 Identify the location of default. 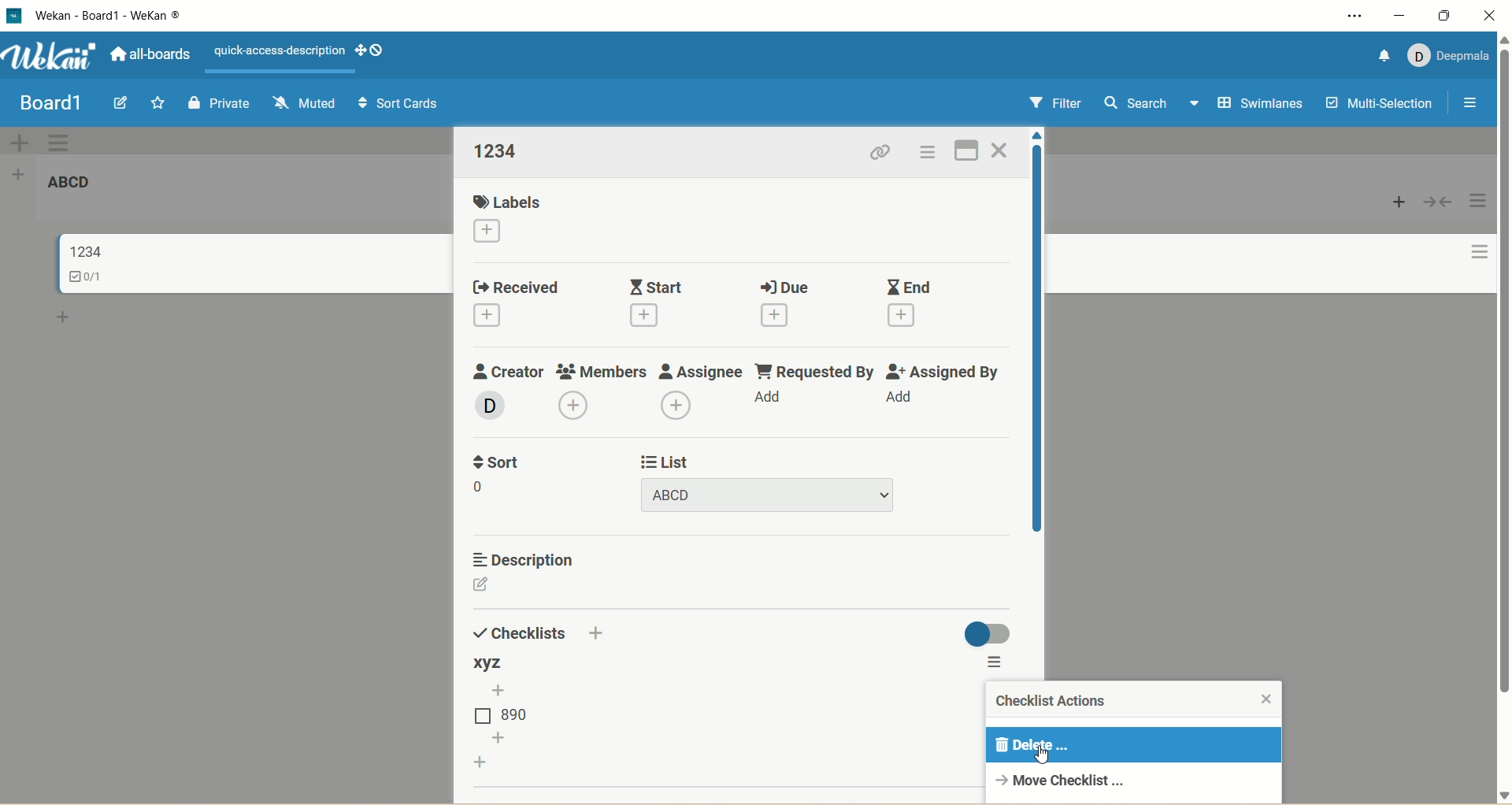
(758, 142).